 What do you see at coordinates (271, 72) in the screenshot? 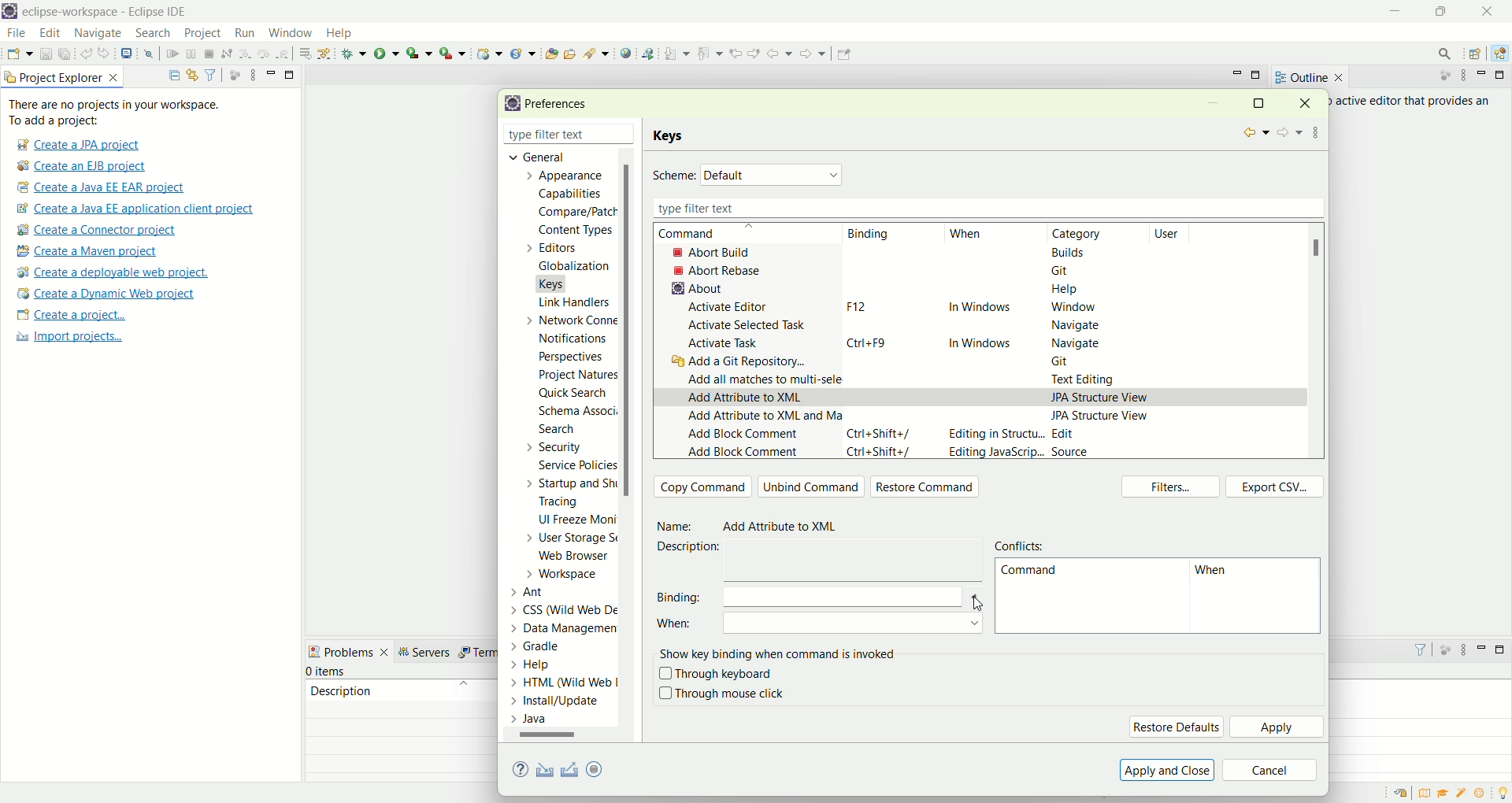
I see `minimize` at bounding box center [271, 72].